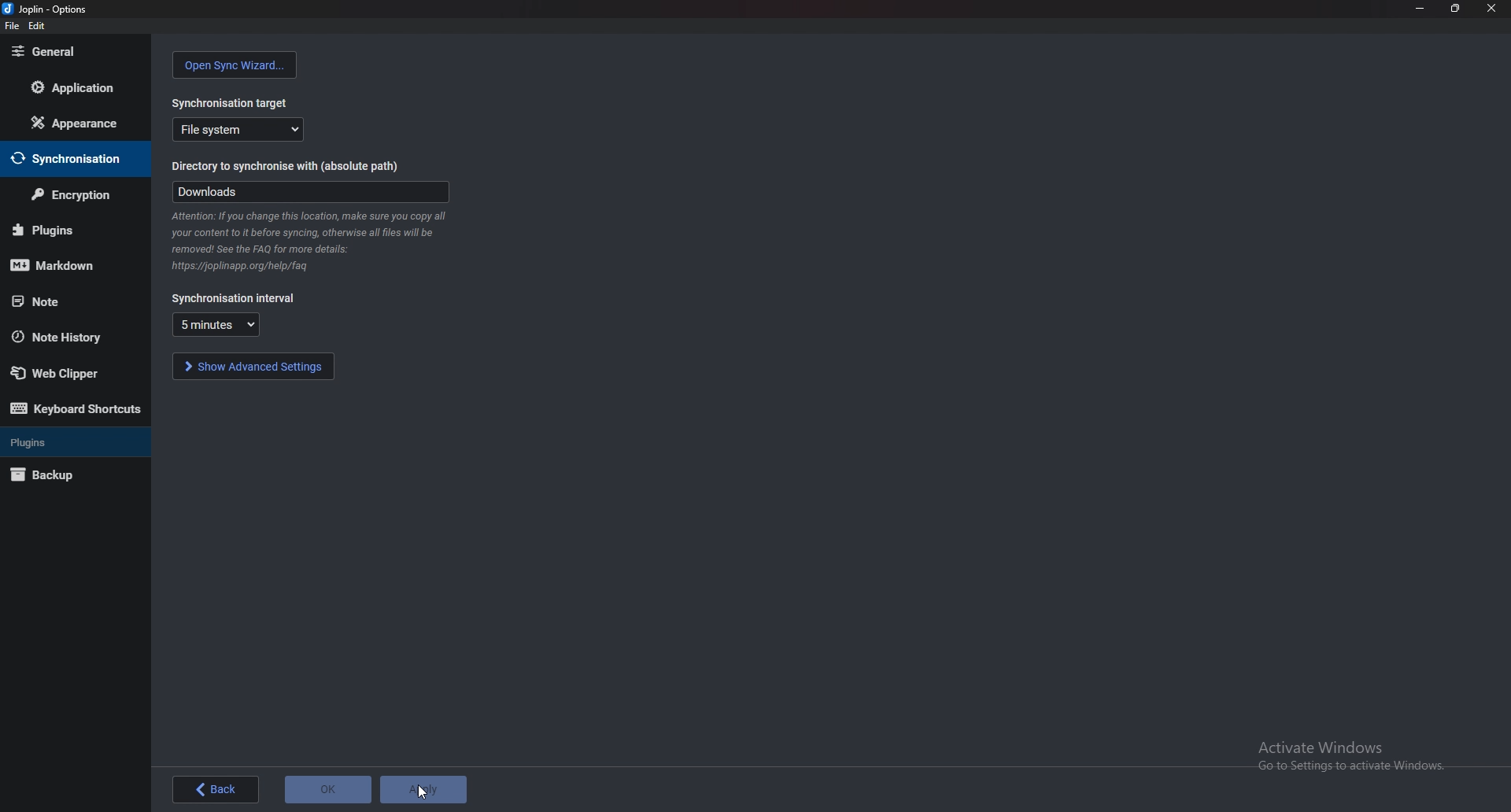 The image size is (1511, 812). What do you see at coordinates (233, 99) in the screenshot?
I see `Synchronization target` at bounding box center [233, 99].